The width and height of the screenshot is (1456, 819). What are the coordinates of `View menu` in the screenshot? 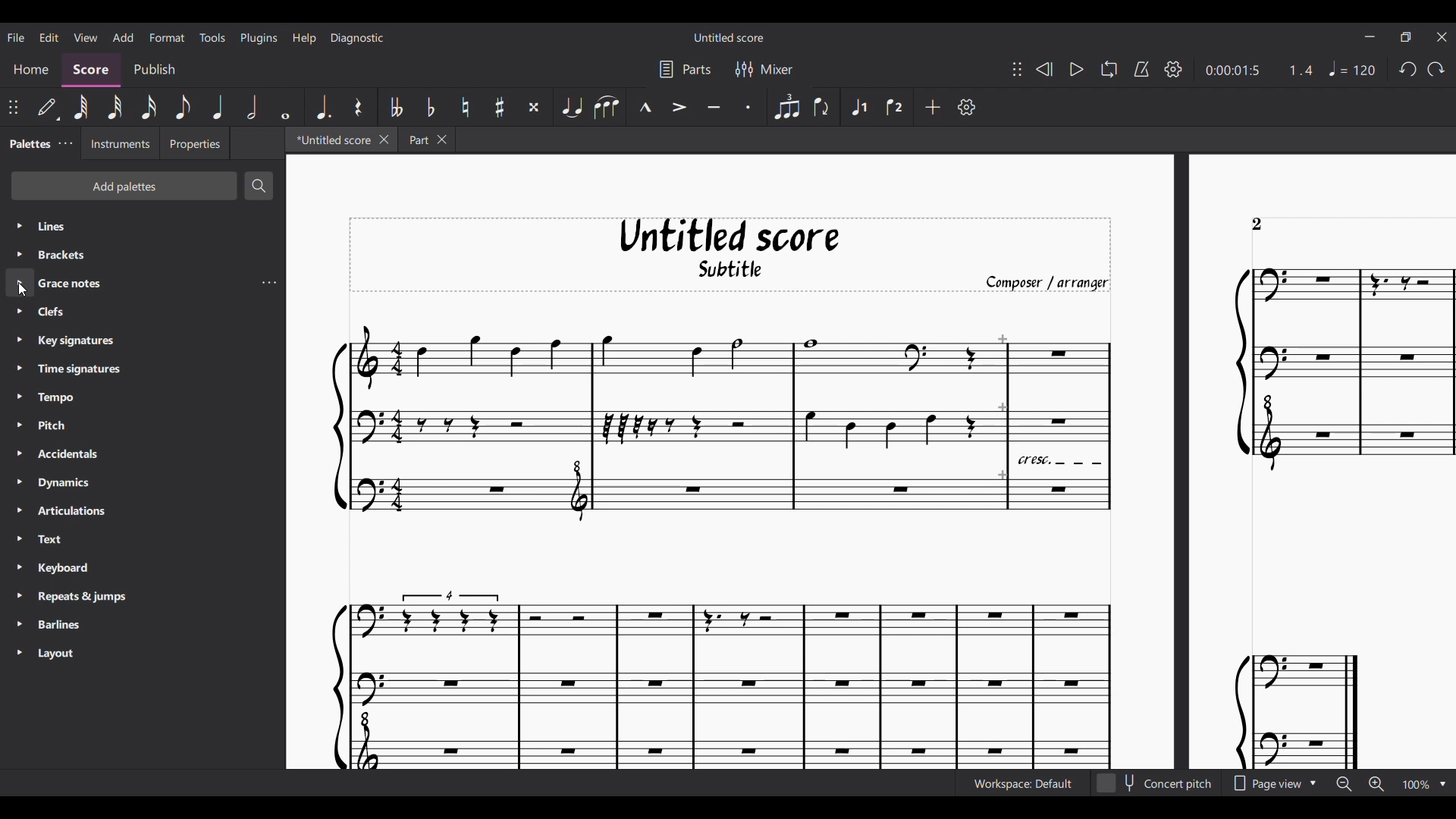 It's located at (84, 37).